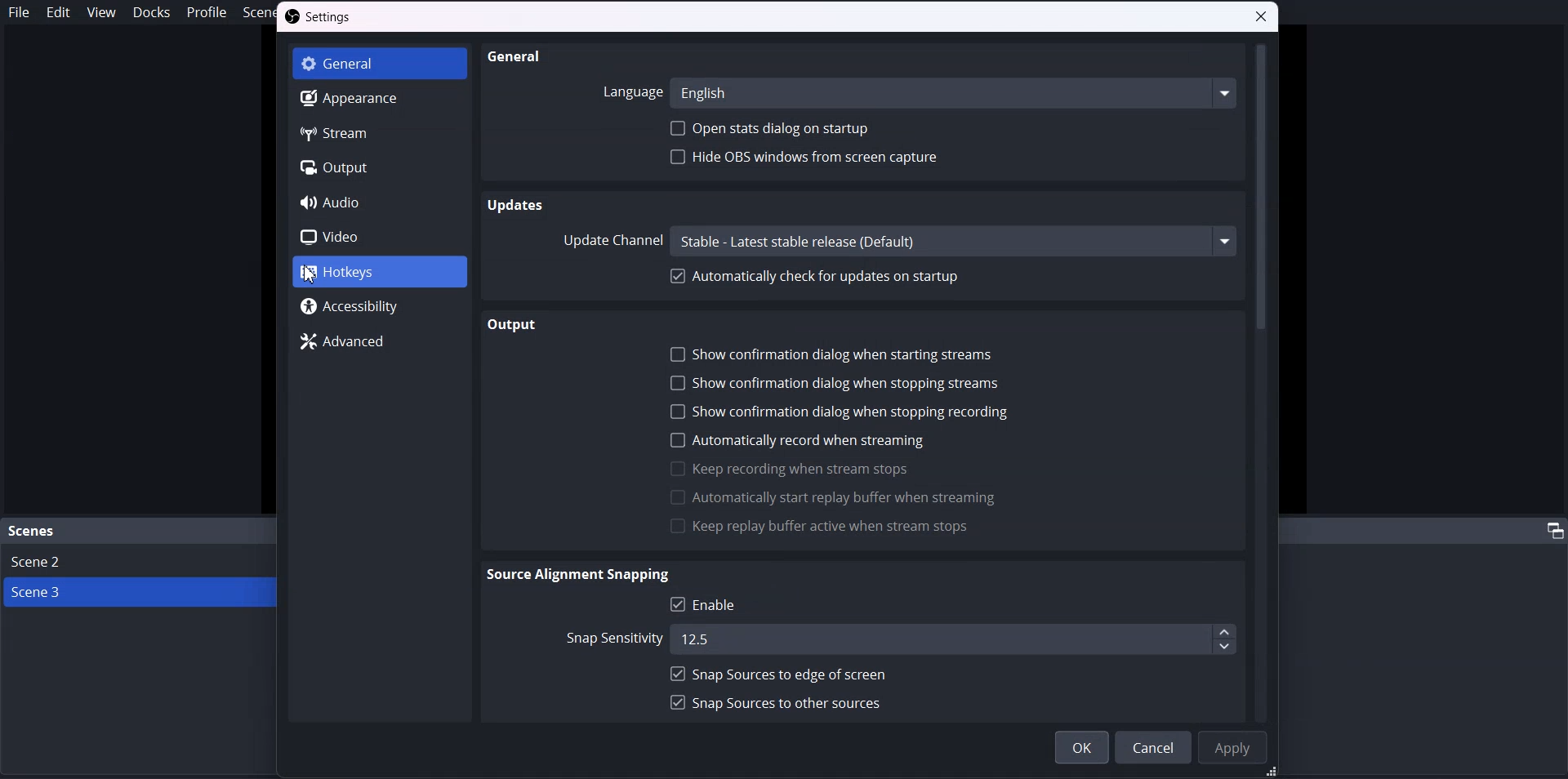 The height and width of the screenshot is (779, 1568). I want to click on snap source to edge off screen, so click(776, 674).